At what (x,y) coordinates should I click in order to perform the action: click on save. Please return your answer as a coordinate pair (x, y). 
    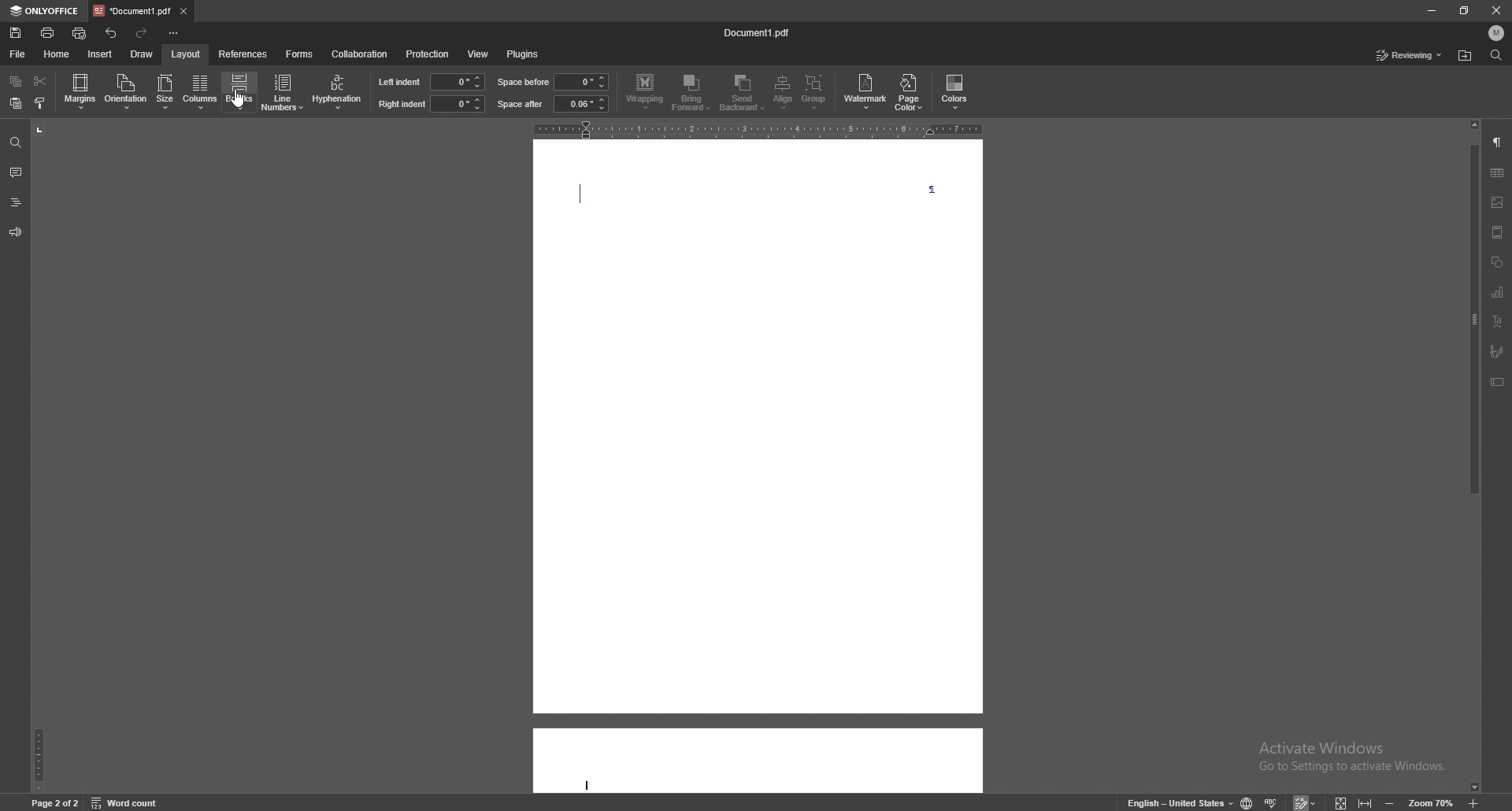
    Looking at the image, I should click on (16, 33).